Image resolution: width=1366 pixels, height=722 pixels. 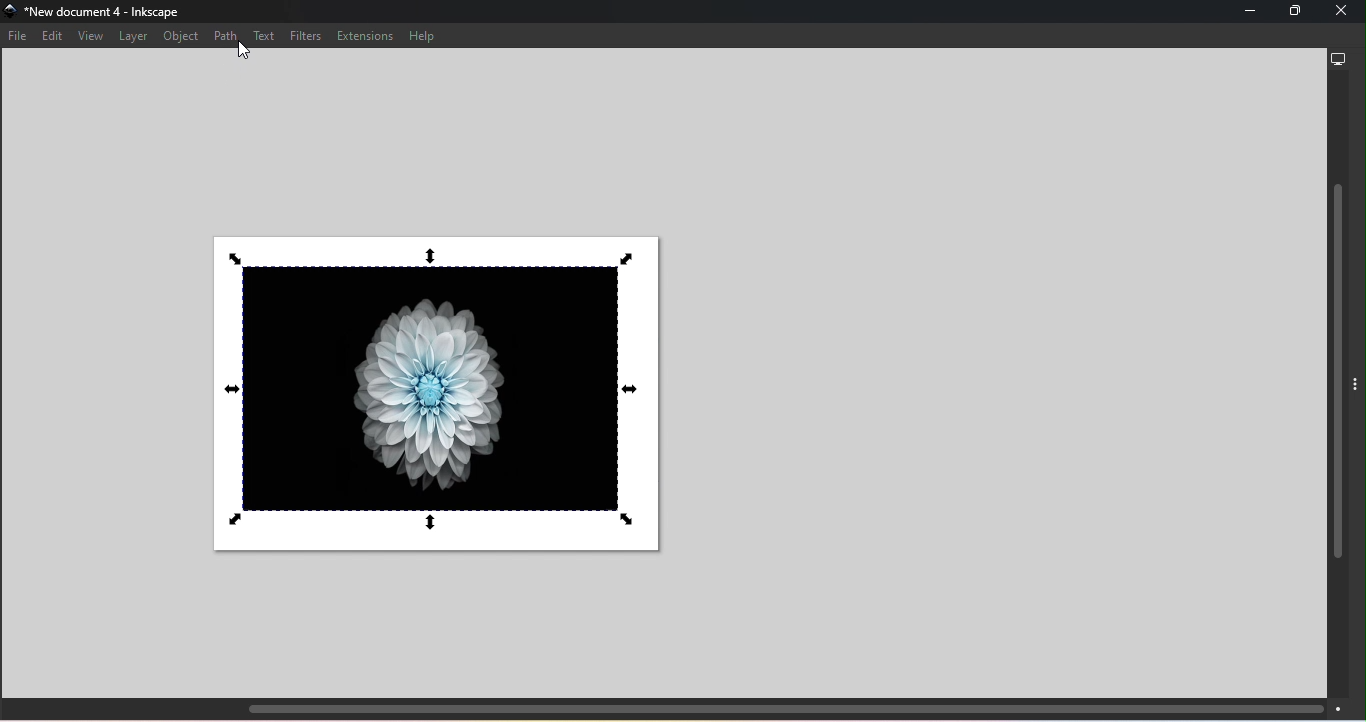 I want to click on Maximize, so click(x=1292, y=14).